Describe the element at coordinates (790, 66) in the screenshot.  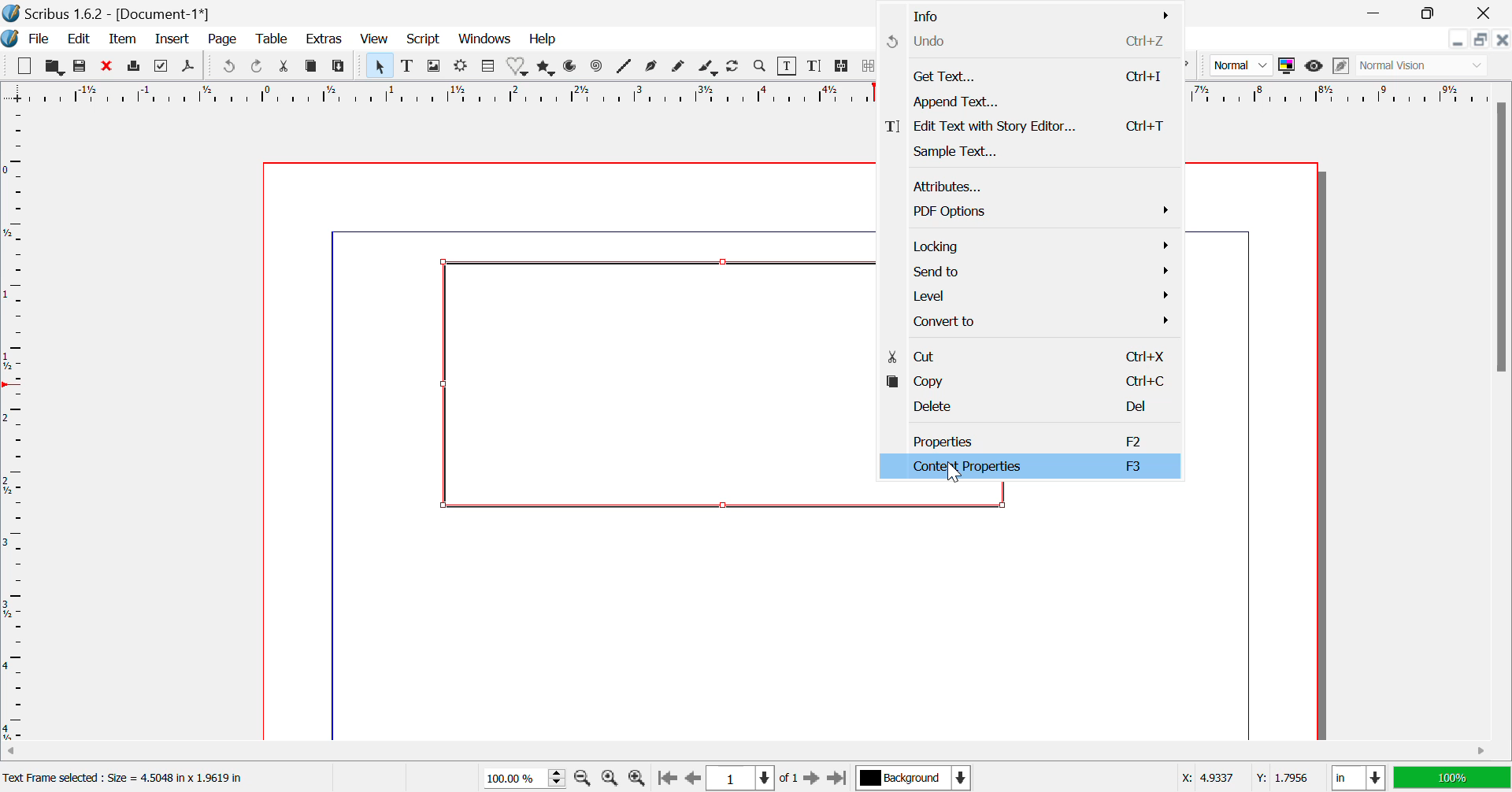
I see `Edit Content in Frames` at that location.